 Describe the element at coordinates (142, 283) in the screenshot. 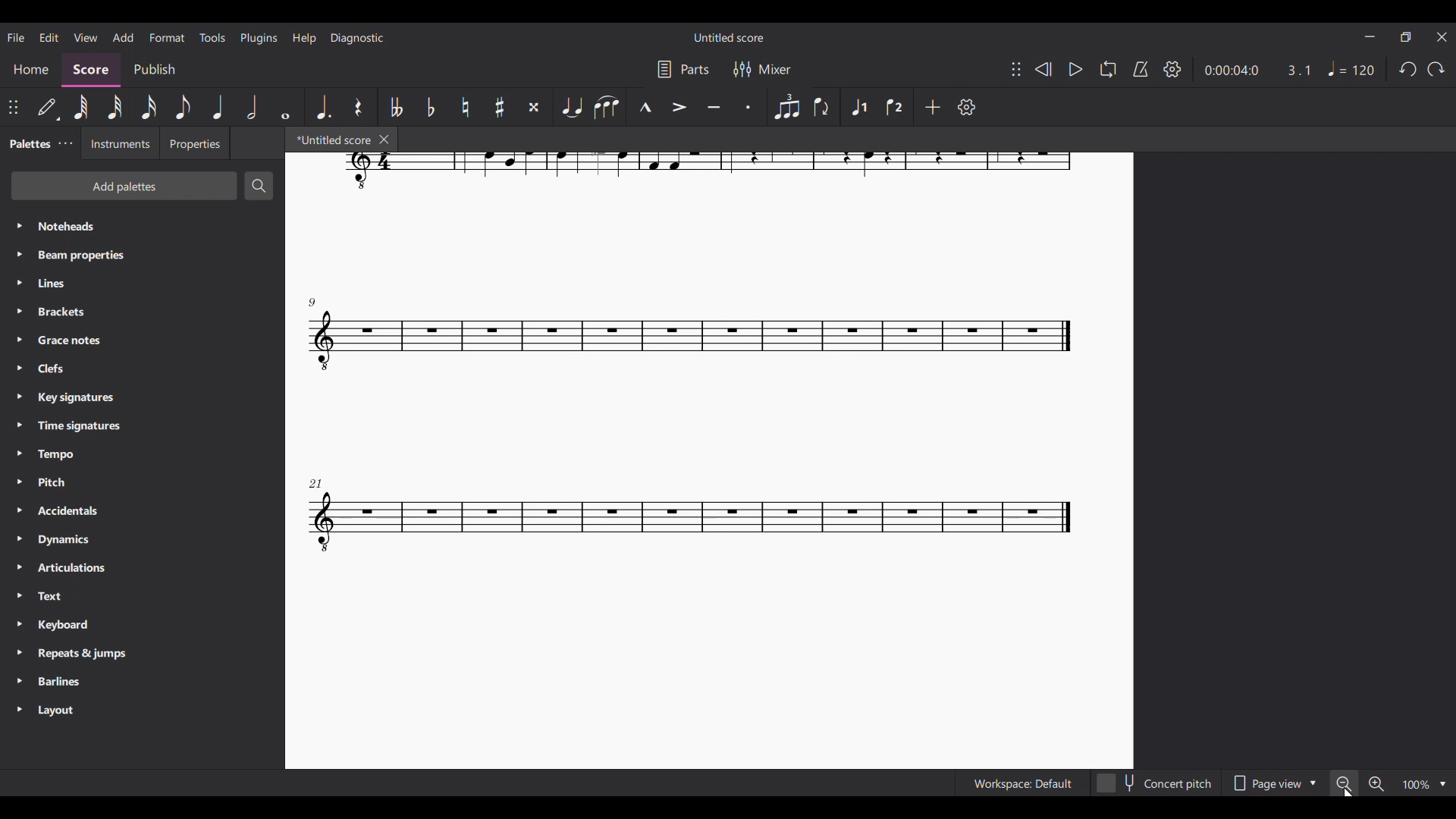

I see `Lines` at that location.